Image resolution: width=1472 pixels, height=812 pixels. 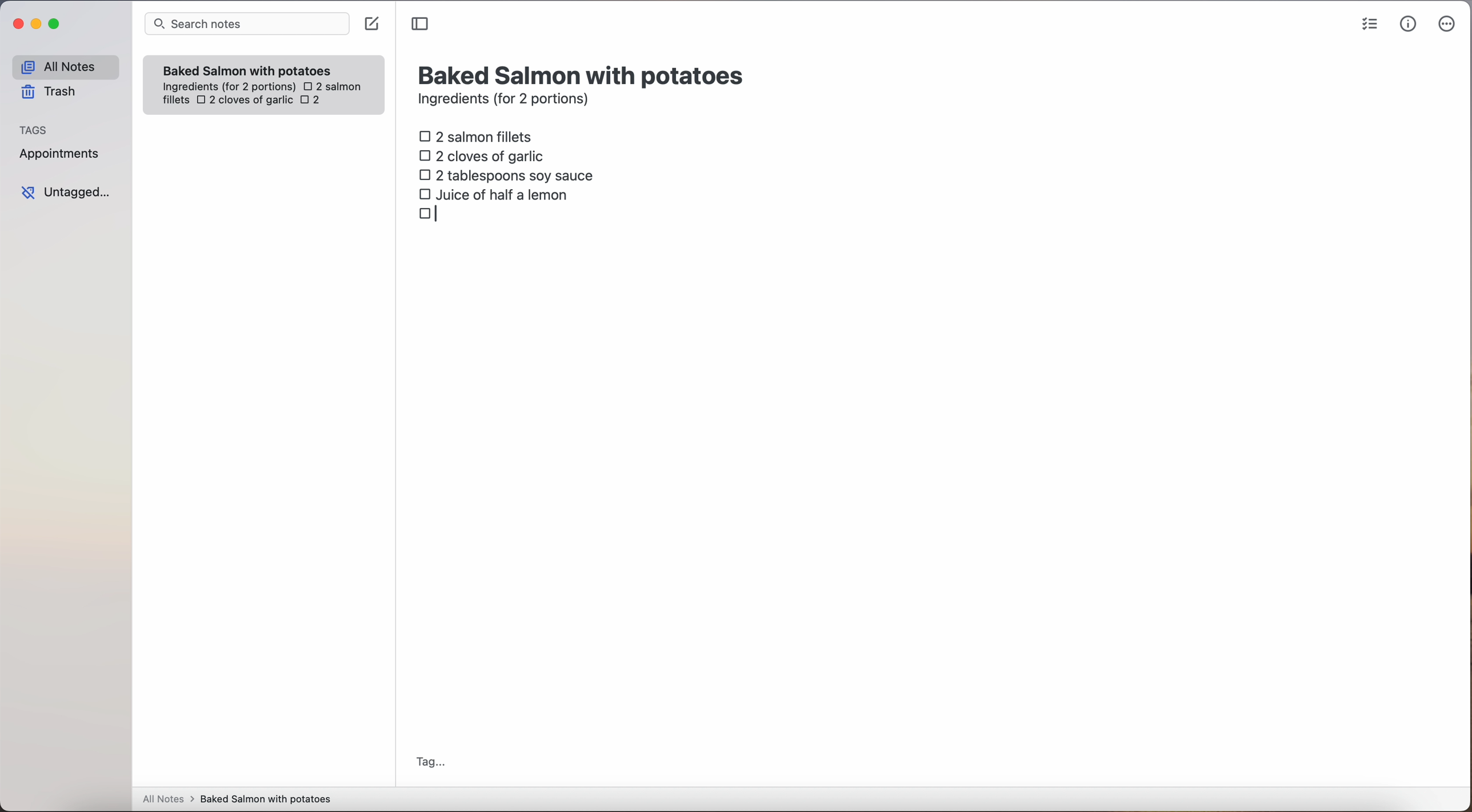 What do you see at coordinates (246, 25) in the screenshot?
I see `search bar` at bounding box center [246, 25].